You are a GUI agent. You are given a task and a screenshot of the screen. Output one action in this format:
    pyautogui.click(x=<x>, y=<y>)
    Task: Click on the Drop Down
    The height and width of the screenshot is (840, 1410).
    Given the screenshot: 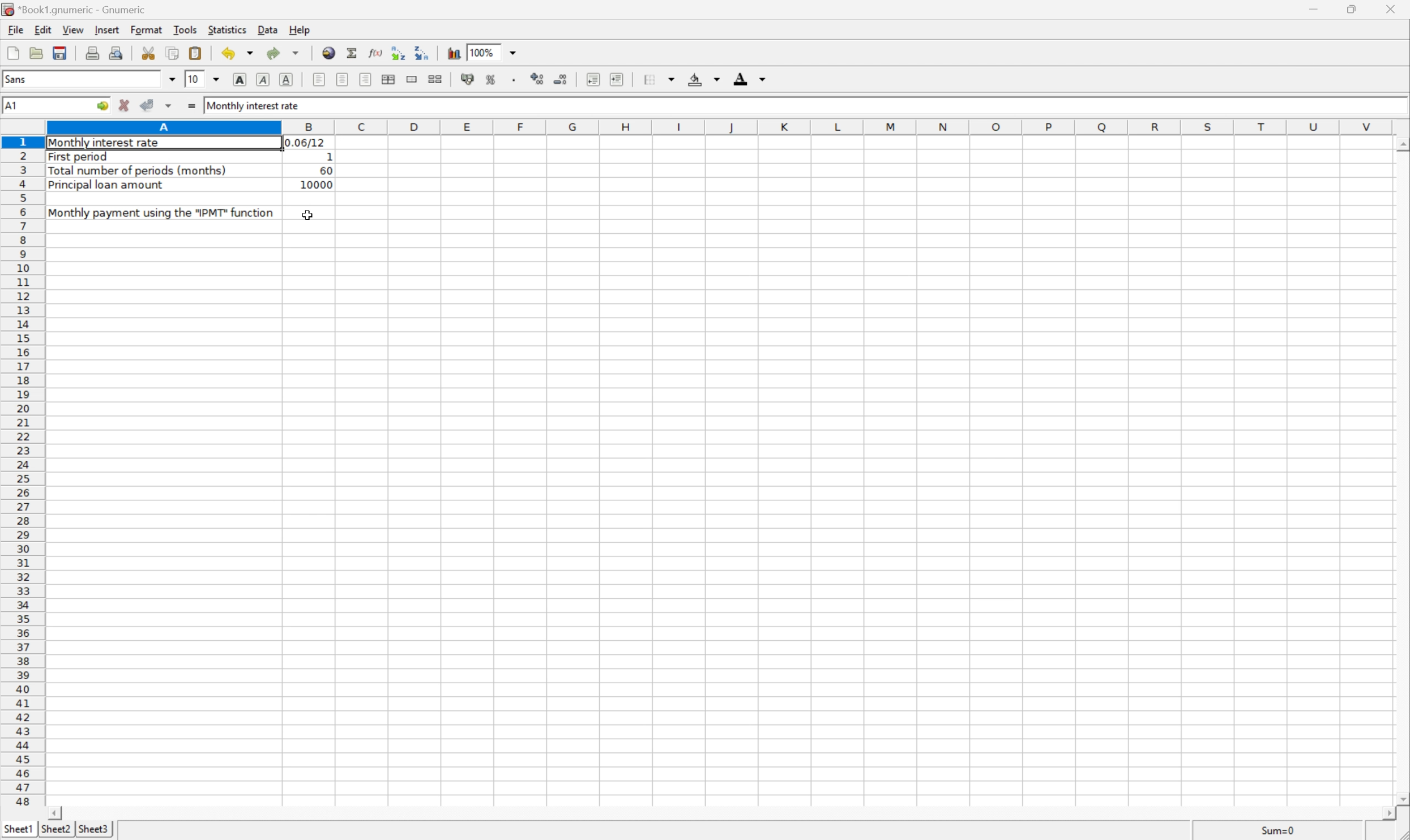 What is the action you would take?
    pyautogui.click(x=173, y=79)
    